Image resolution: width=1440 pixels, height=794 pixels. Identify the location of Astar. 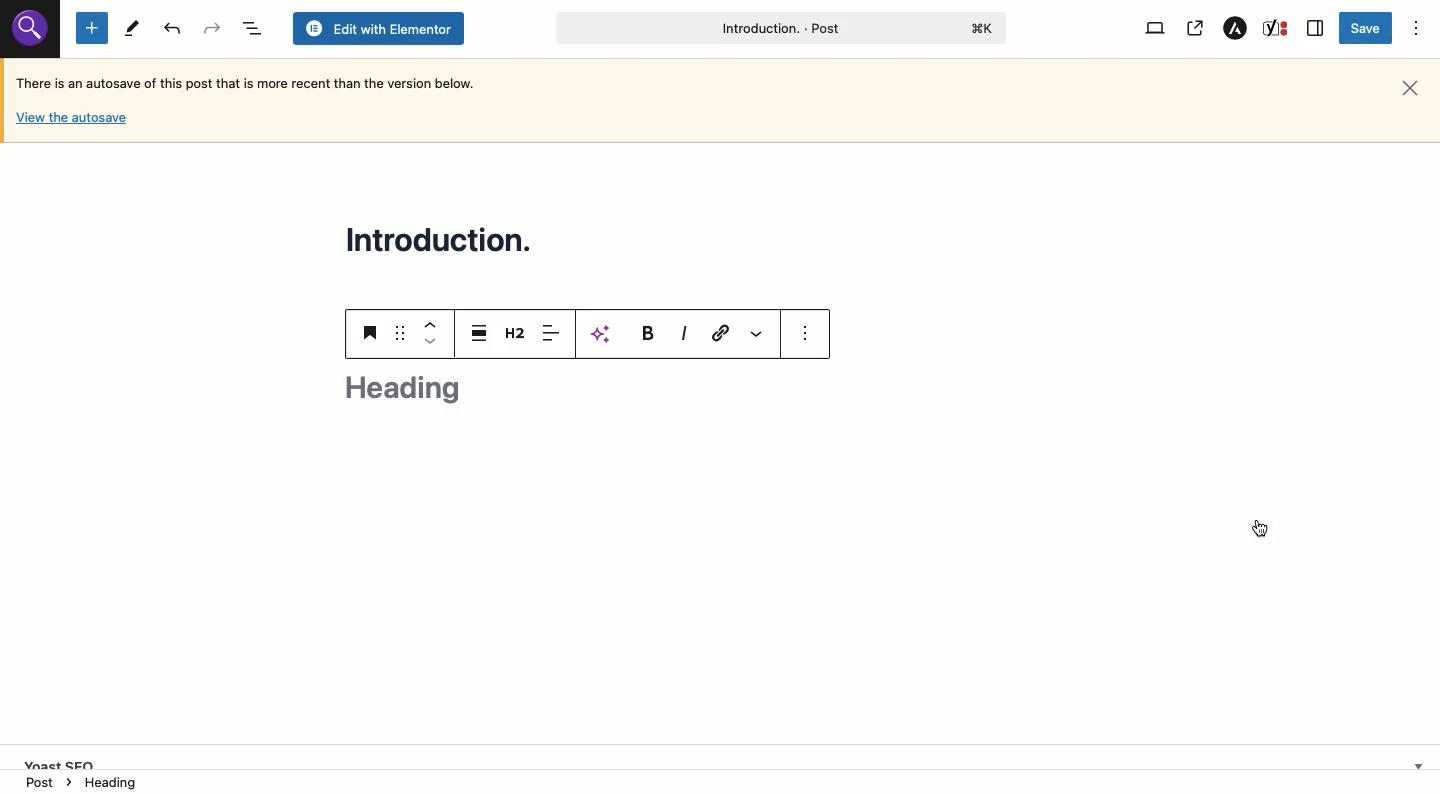
(1236, 29).